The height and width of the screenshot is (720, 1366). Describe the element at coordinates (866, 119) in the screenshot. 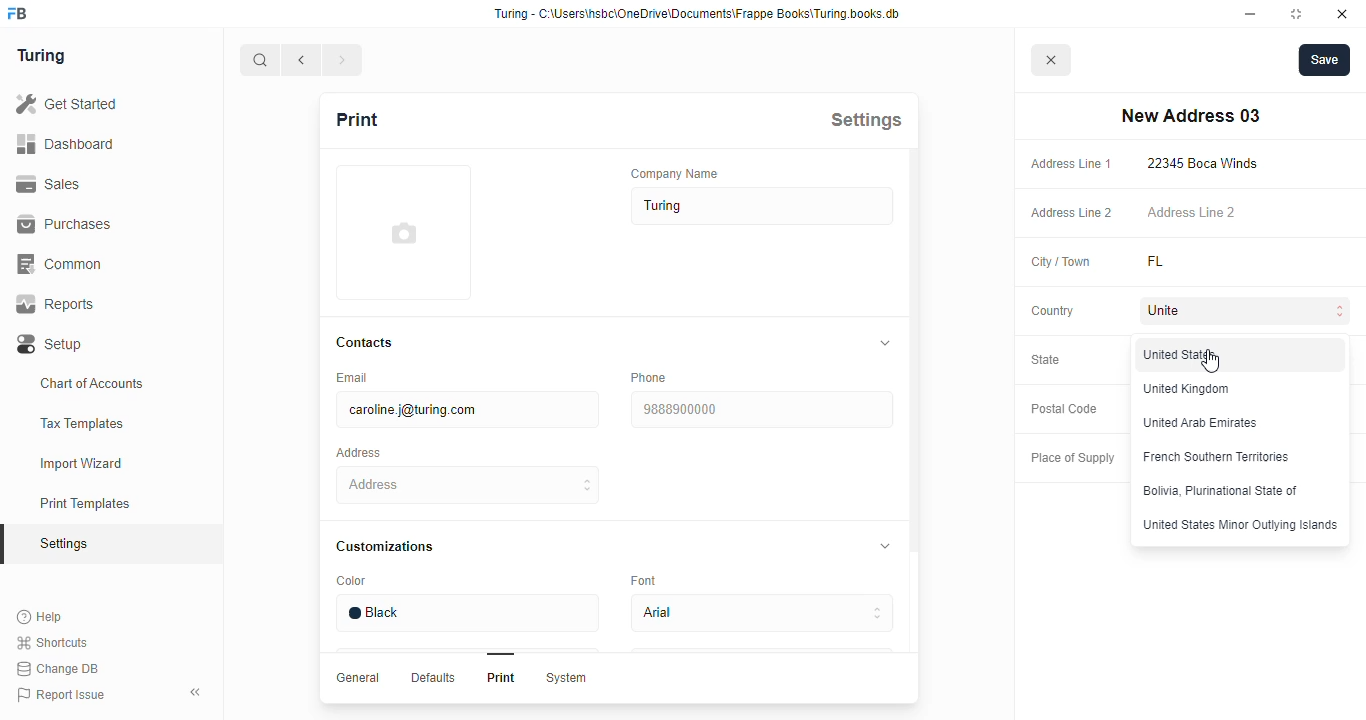

I see `settings` at that location.